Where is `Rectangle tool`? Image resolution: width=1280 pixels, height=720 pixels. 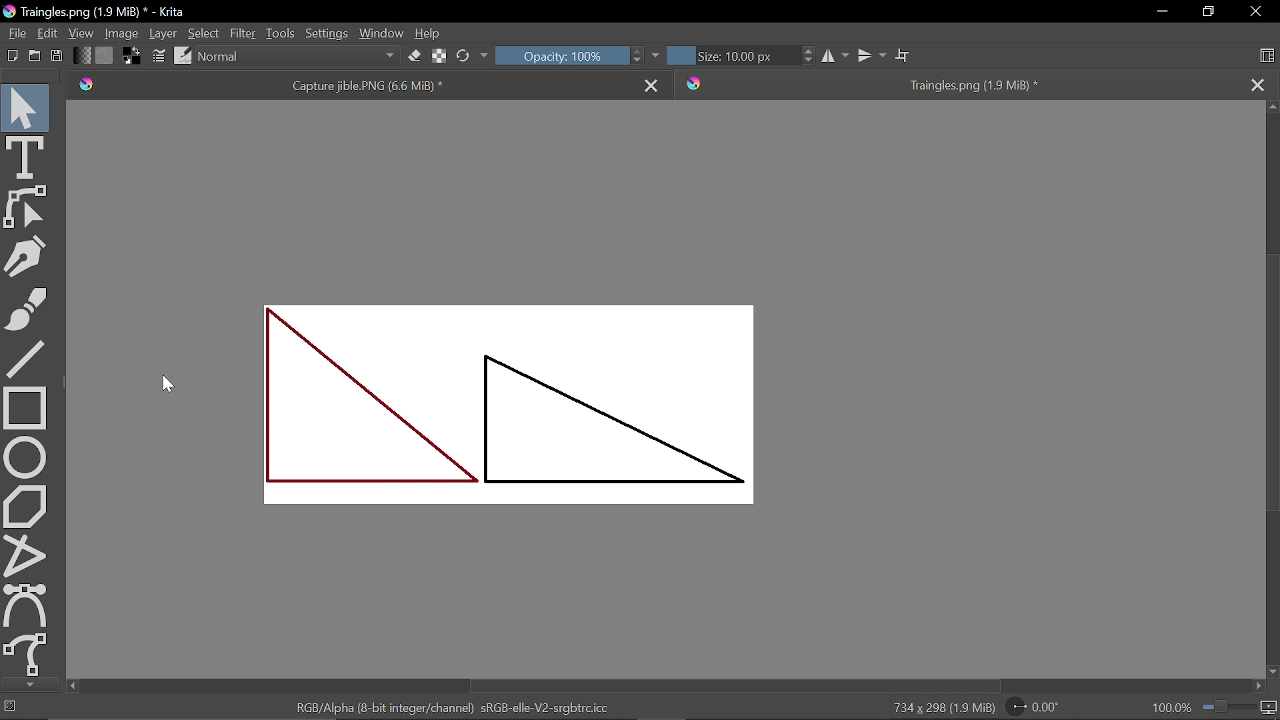
Rectangle tool is located at coordinates (24, 406).